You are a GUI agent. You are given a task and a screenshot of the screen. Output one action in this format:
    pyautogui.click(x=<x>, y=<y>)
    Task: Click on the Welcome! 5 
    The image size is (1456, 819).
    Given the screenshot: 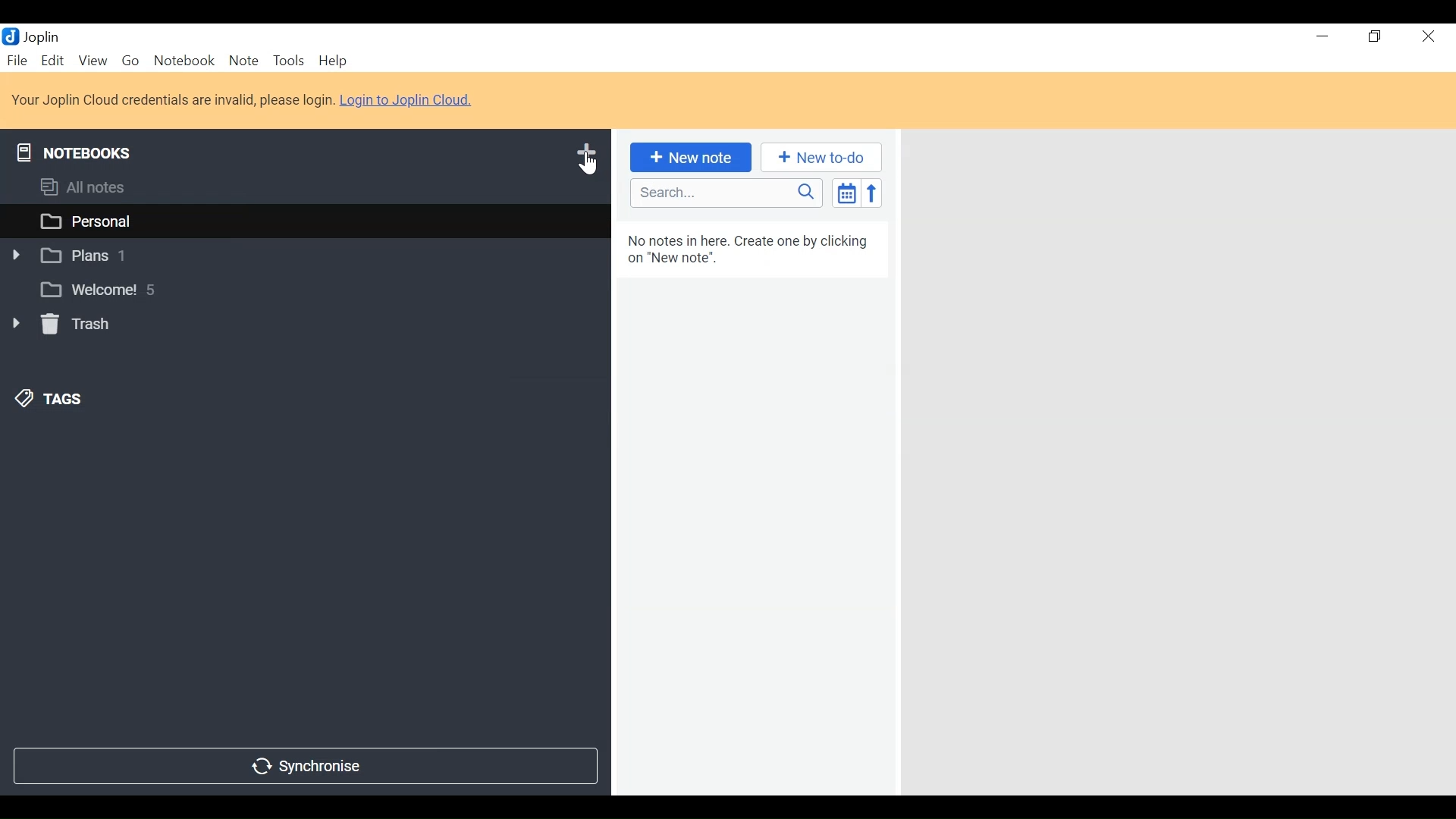 What is the action you would take?
    pyautogui.click(x=299, y=288)
    